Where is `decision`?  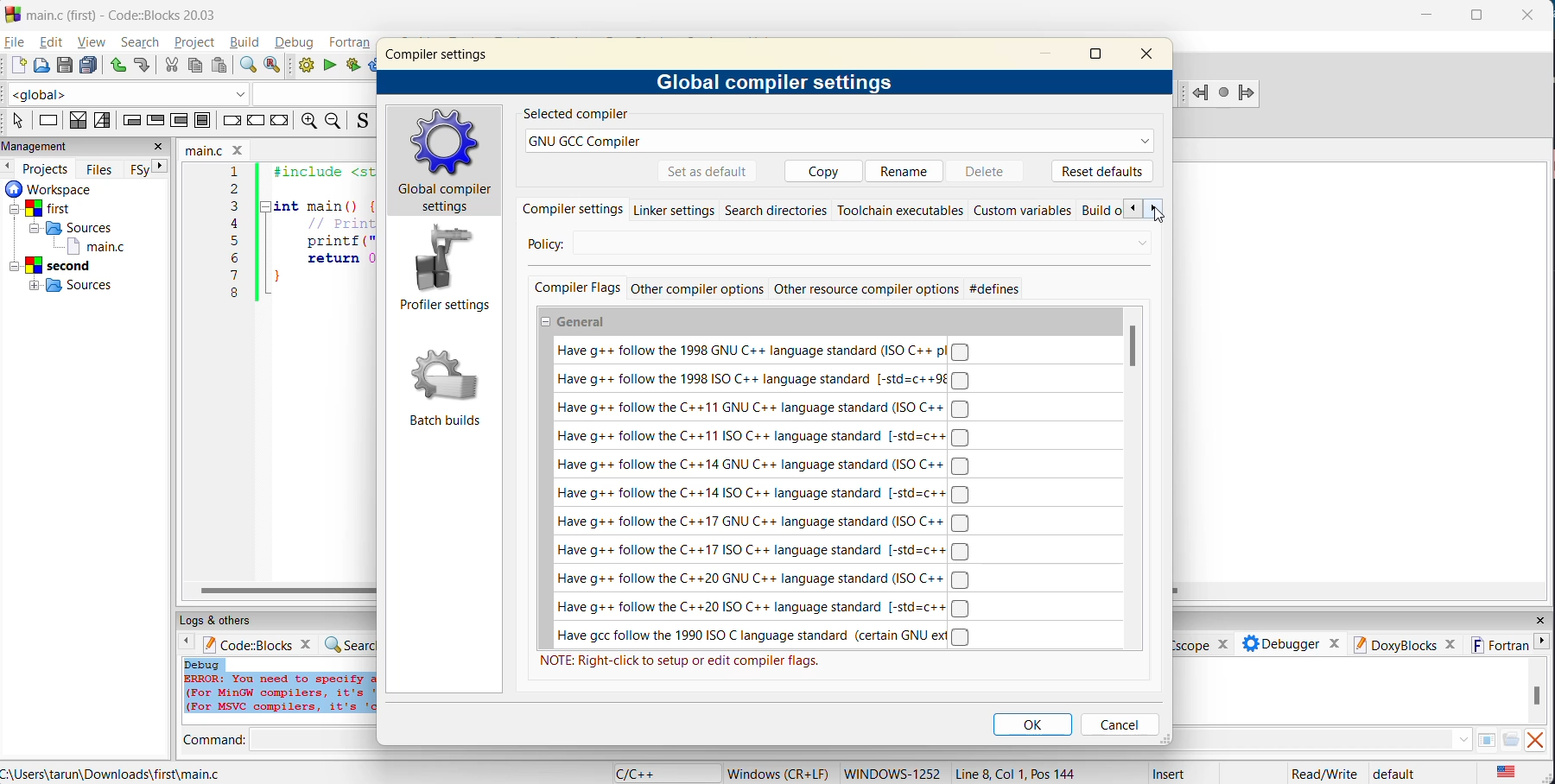 decision is located at coordinates (76, 122).